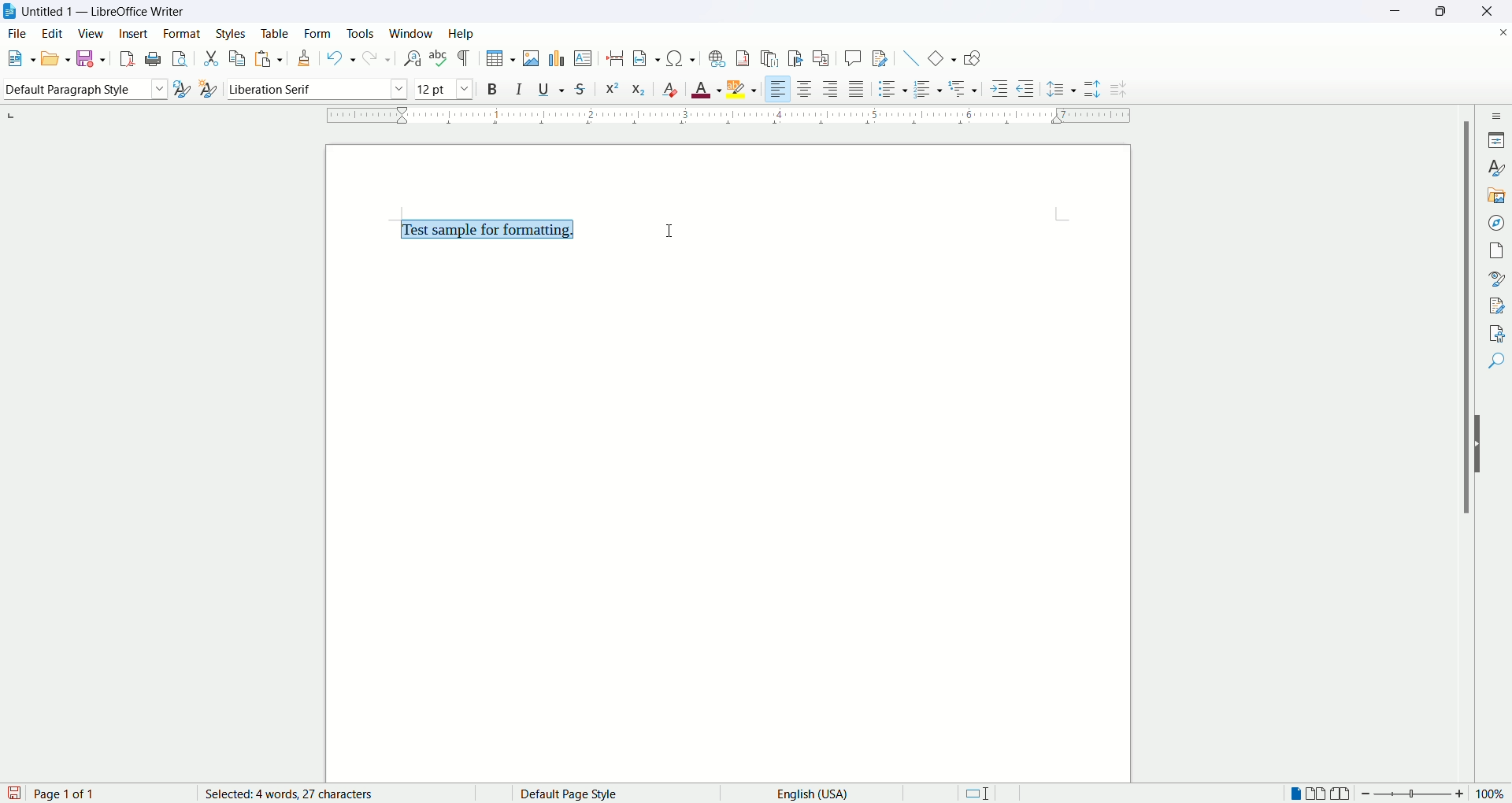 This screenshot has width=1512, height=803. What do you see at coordinates (93, 33) in the screenshot?
I see `view` at bounding box center [93, 33].